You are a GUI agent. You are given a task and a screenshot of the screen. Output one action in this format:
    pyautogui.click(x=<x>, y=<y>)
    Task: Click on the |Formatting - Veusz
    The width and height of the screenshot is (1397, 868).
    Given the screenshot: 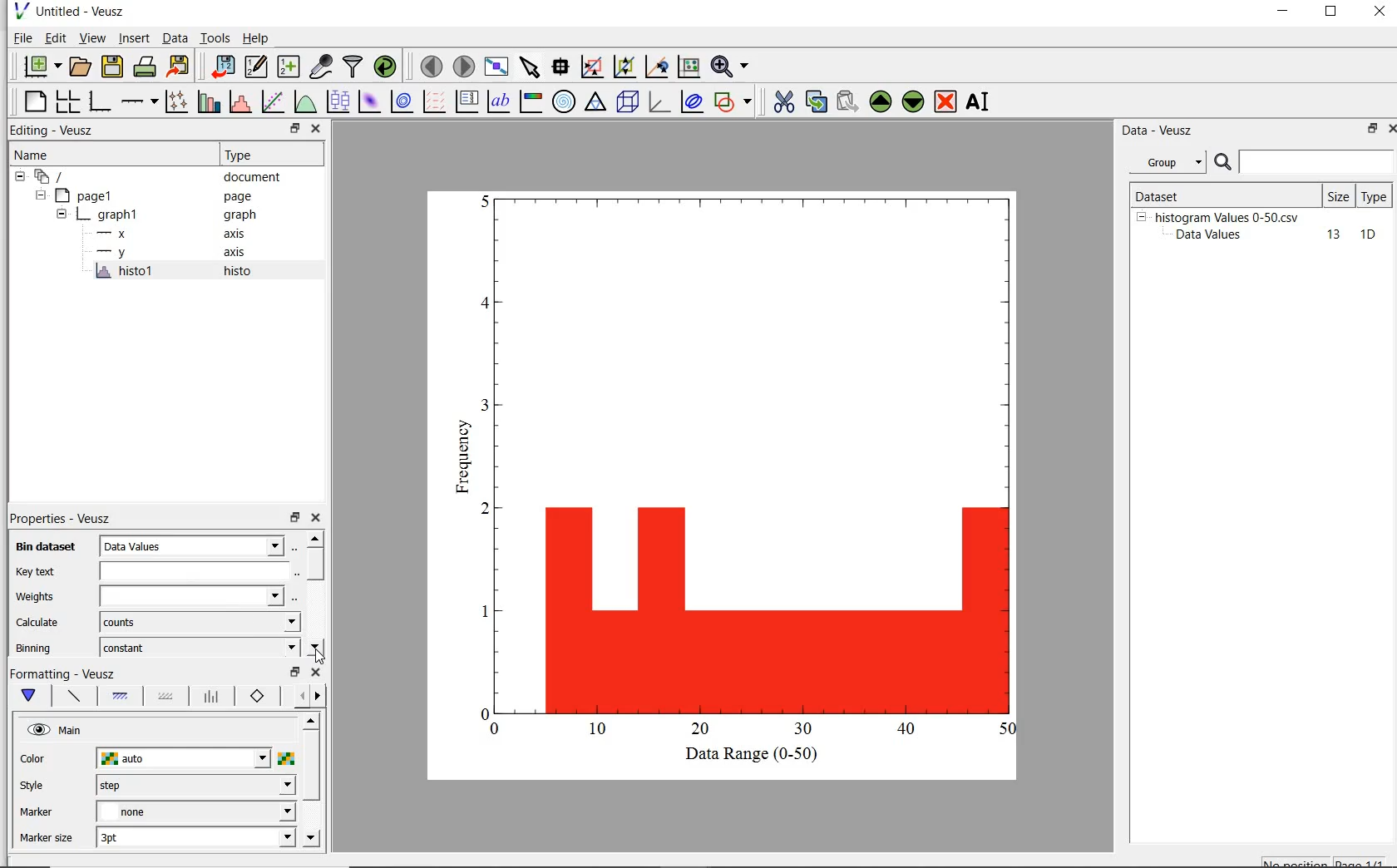 What is the action you would take?
    pyautogui.click(x=64, y=673)
    